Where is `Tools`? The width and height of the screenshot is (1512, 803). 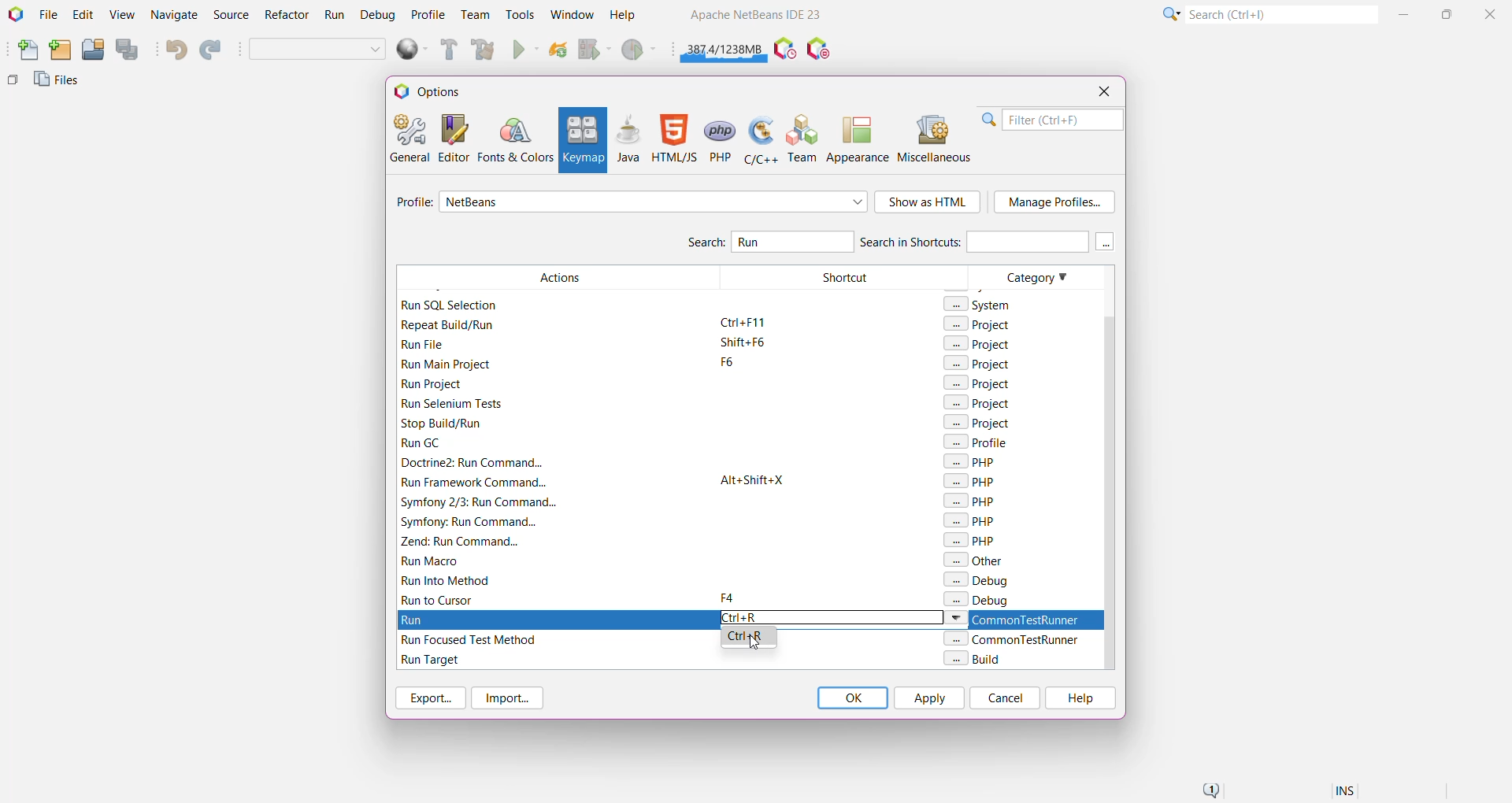
Tools is located at coordinates (521, 13).